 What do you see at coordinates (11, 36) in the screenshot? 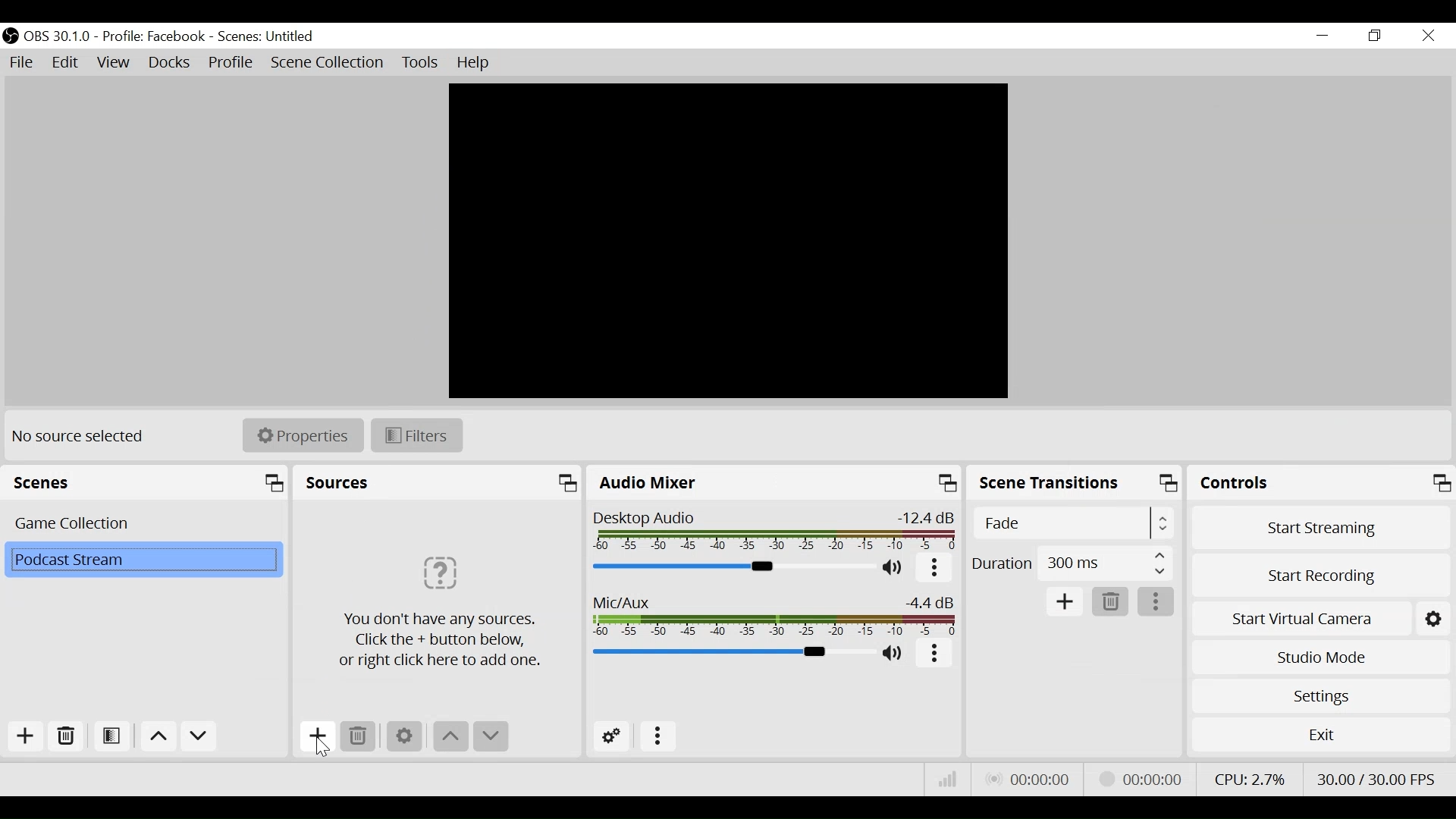
I see `OBS Studio Desktop Icon` at bounding box center [11, 36].